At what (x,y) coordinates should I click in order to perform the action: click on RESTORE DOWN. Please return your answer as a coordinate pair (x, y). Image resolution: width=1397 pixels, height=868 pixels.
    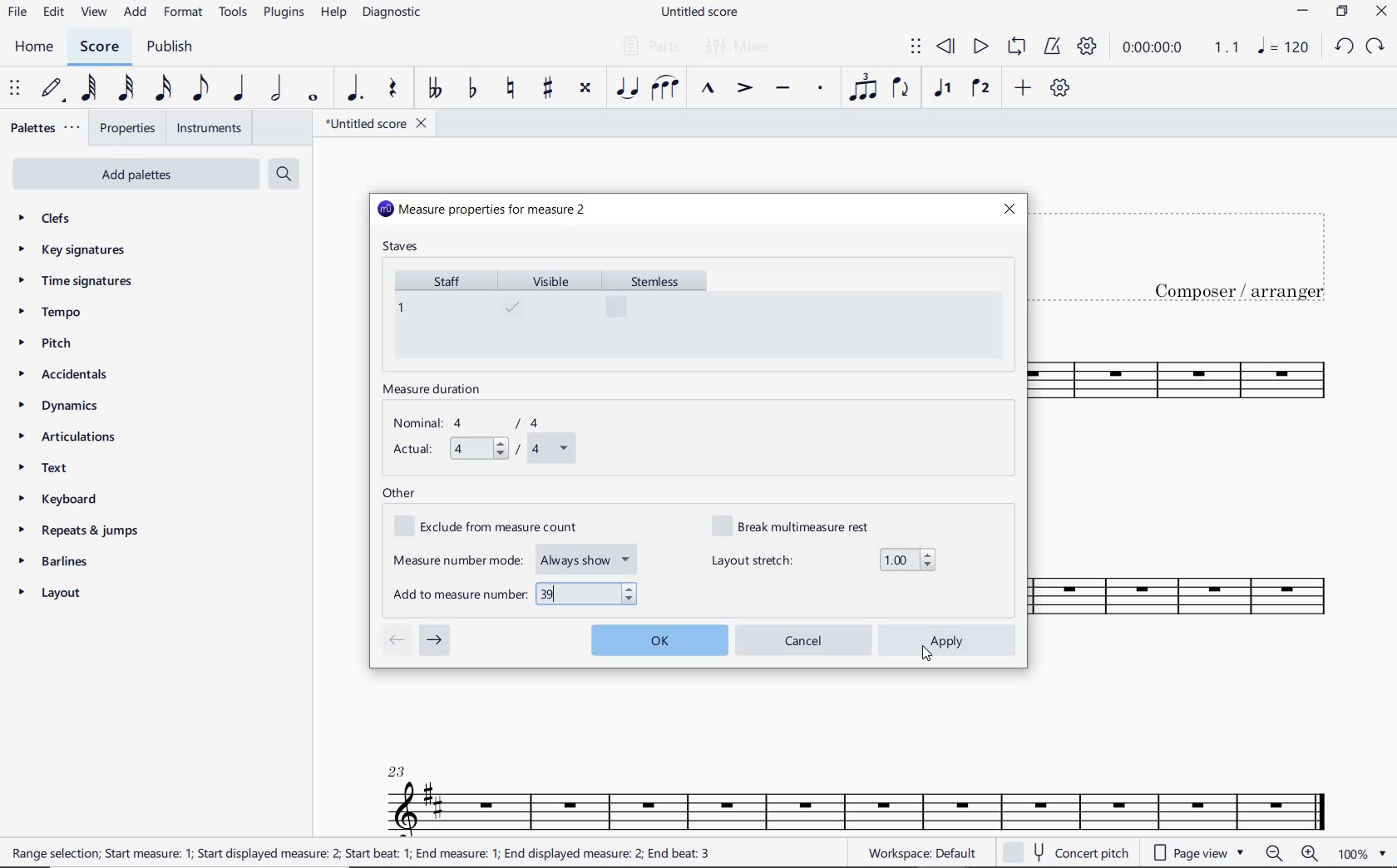
    Looking at the image, I should click on (1342, 13).